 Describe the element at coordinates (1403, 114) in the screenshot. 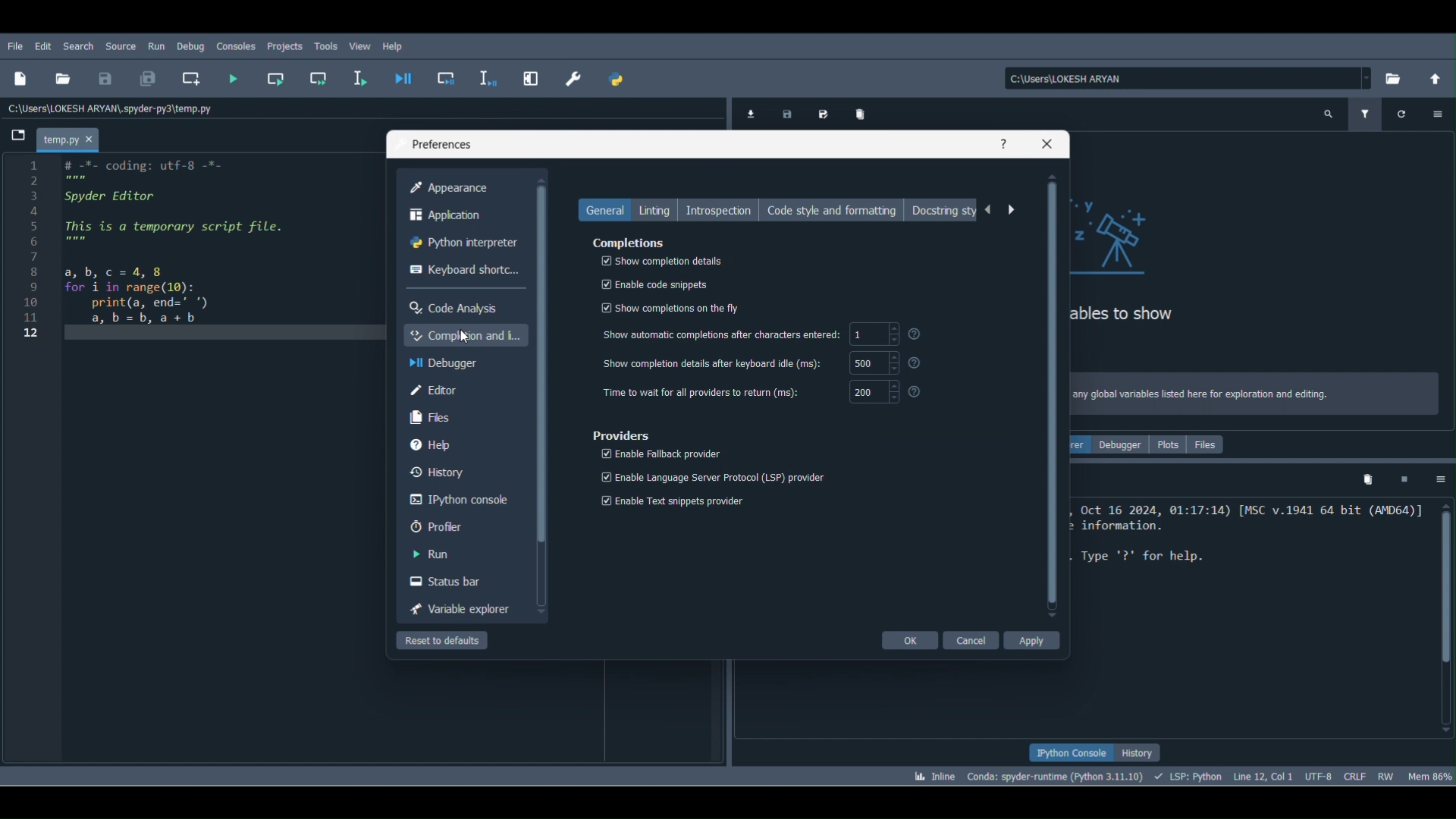

I see `Refresh variables` at that location.